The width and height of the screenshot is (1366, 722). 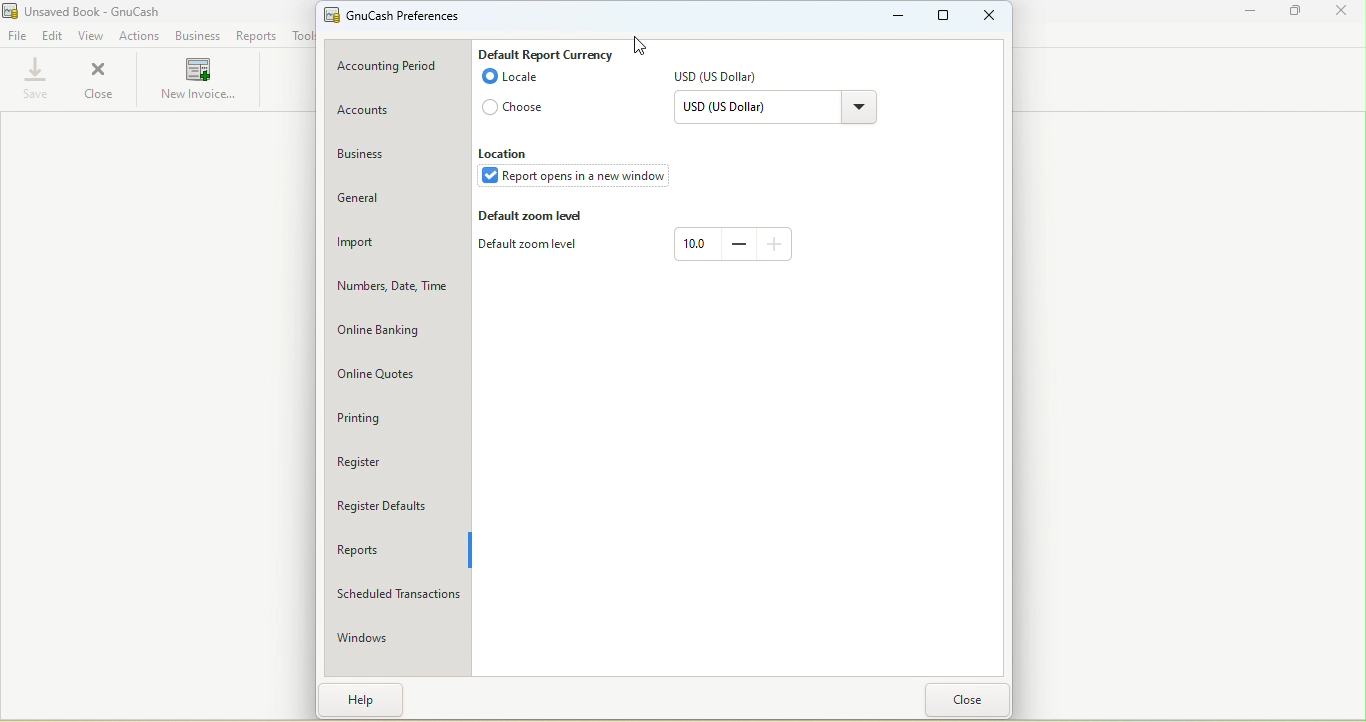 What do you see at coordinates (634, 45) in the screenshot?
I see `Cursor` at bounding box center [634, 45].